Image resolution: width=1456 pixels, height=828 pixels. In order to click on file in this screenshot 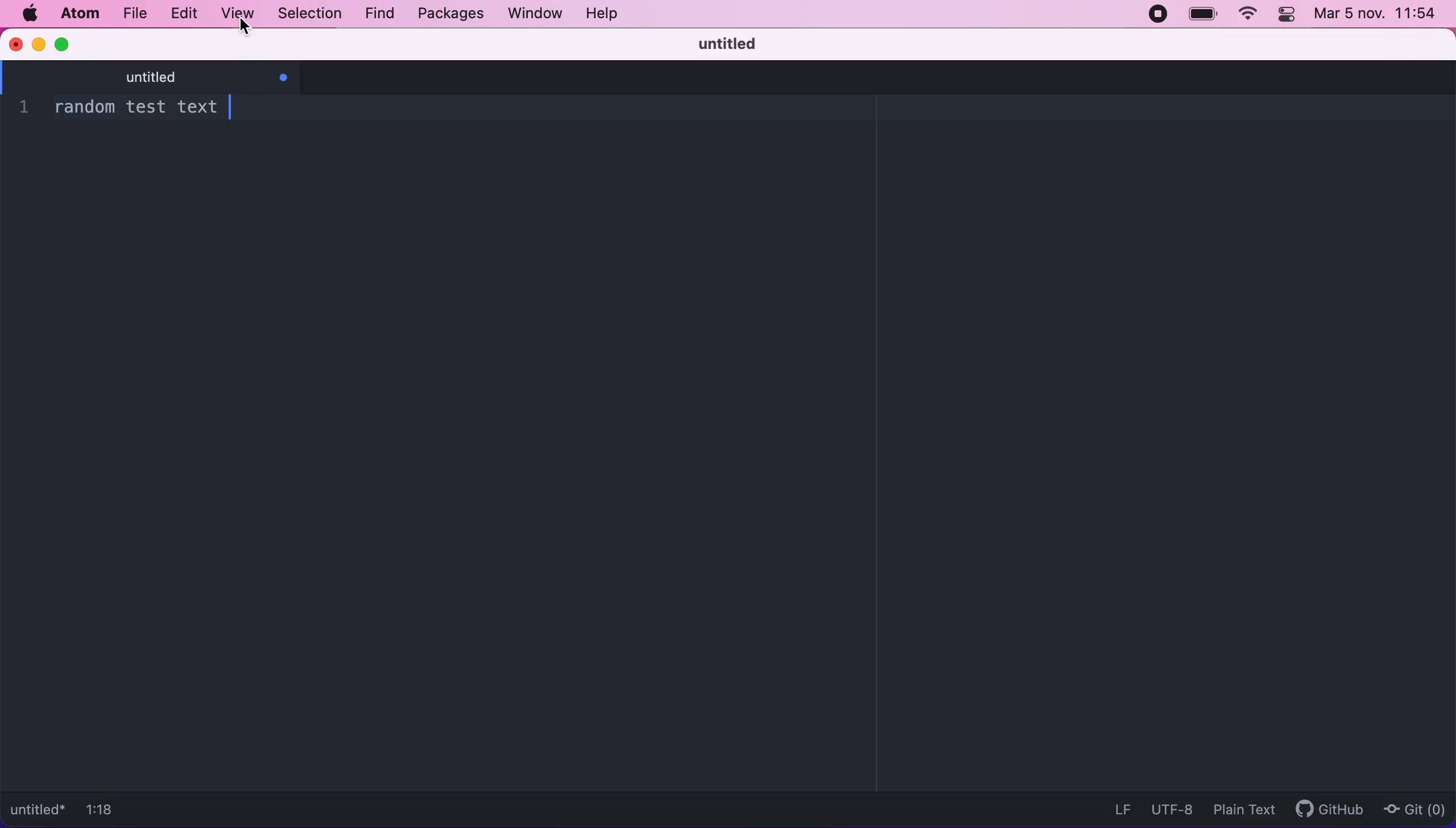, I will do `click(135, 13)`.